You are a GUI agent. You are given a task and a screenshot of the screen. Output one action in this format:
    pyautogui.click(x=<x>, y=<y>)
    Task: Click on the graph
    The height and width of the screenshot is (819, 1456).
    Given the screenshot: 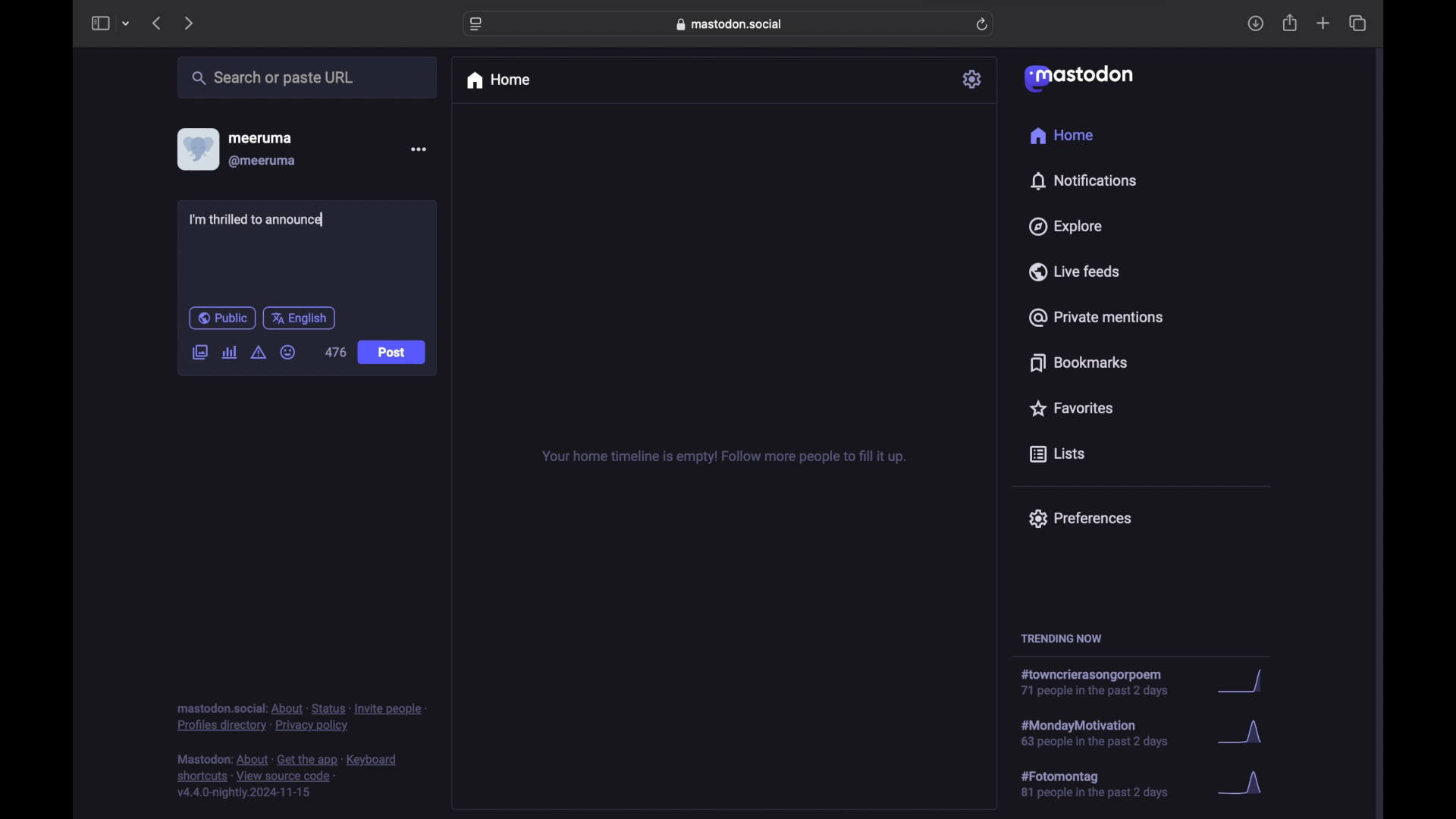 What is the action you would take?
    pyautogui.click(x=1245, y=784)
    